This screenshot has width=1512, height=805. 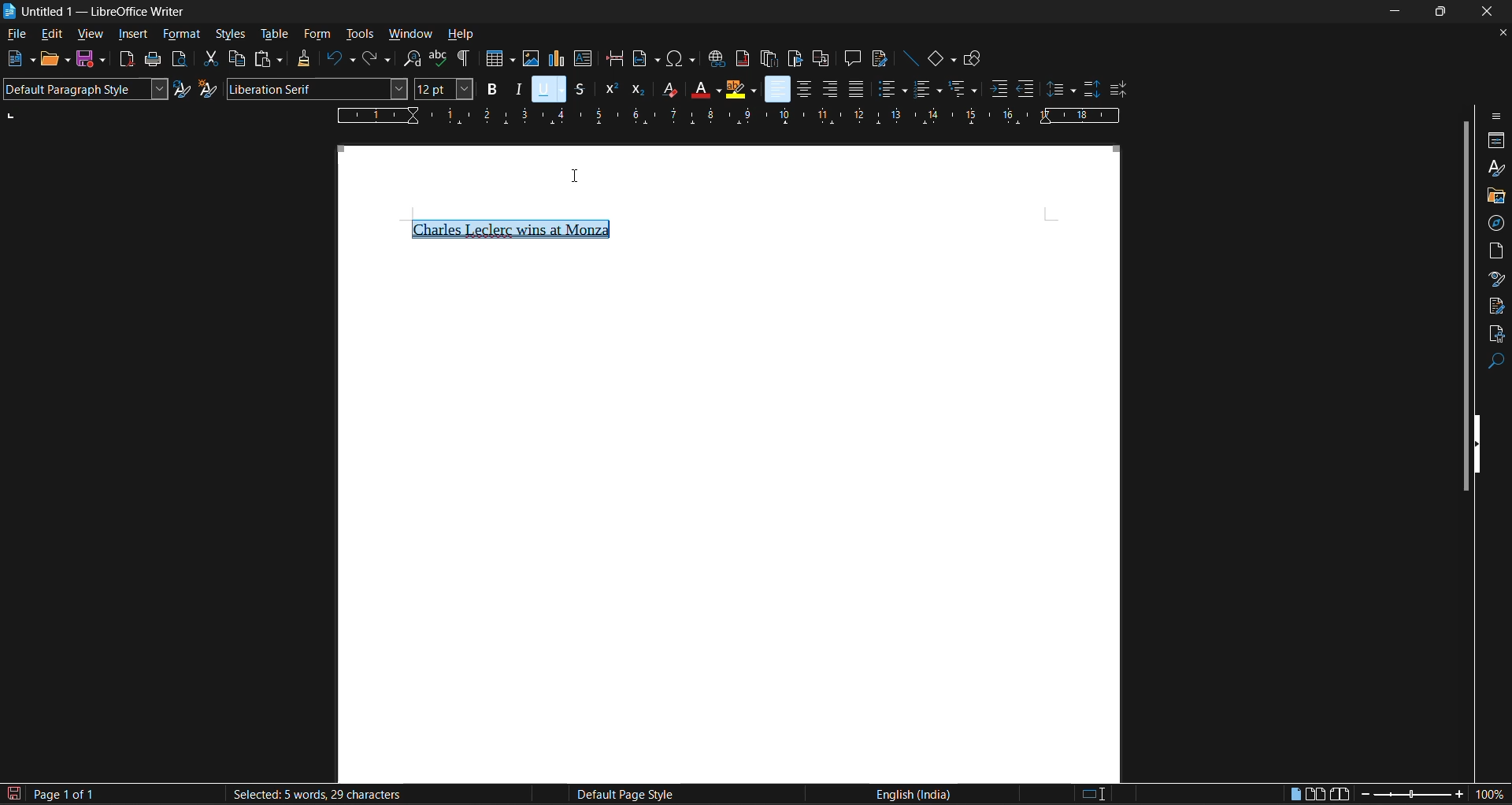 What do you see at coordinates (854, 88) in the screenshot?
I see `justified` at bounding box center [854, 88].